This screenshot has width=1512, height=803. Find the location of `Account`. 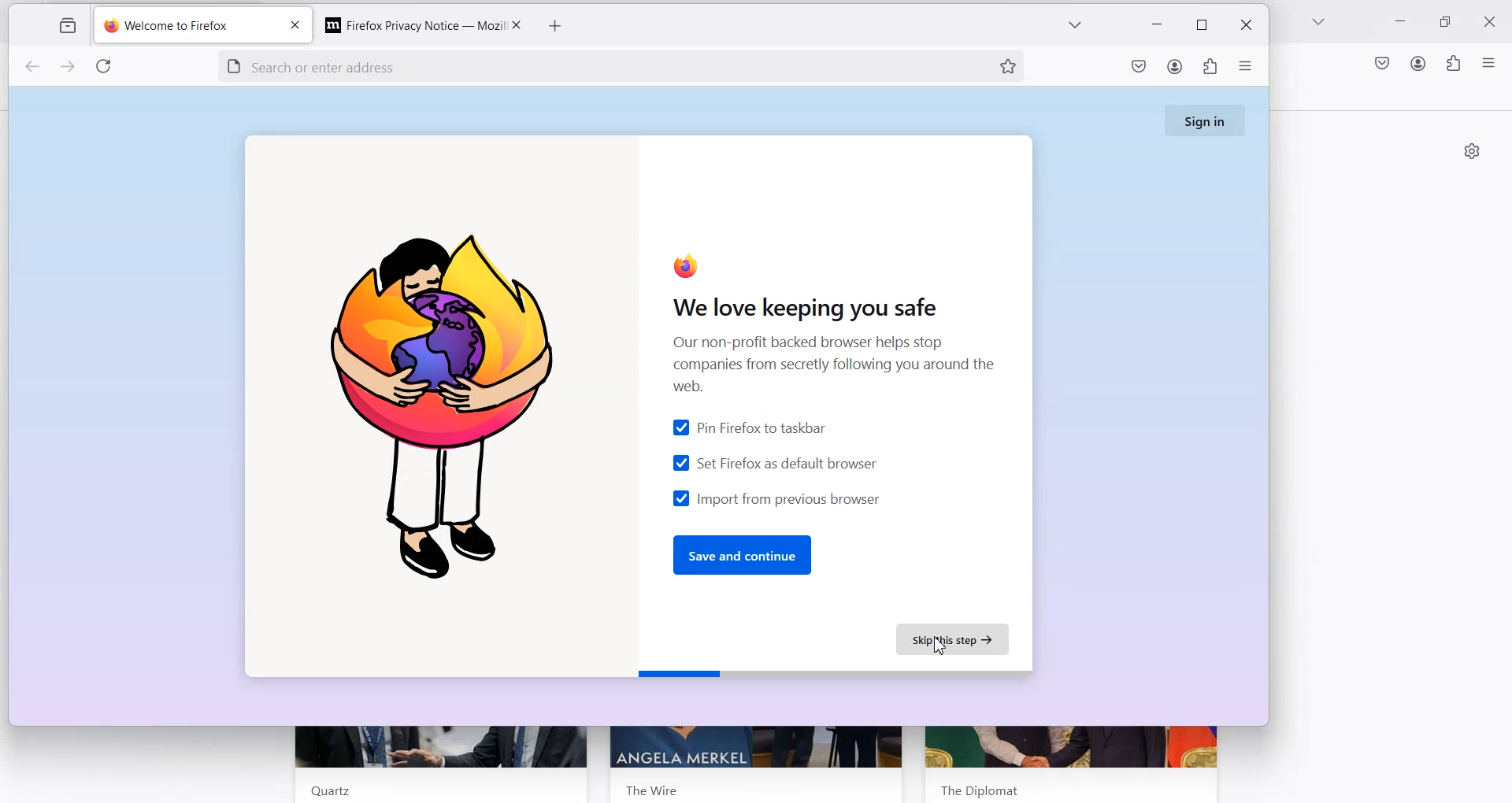

Account is located at coordinates (1418, 63).